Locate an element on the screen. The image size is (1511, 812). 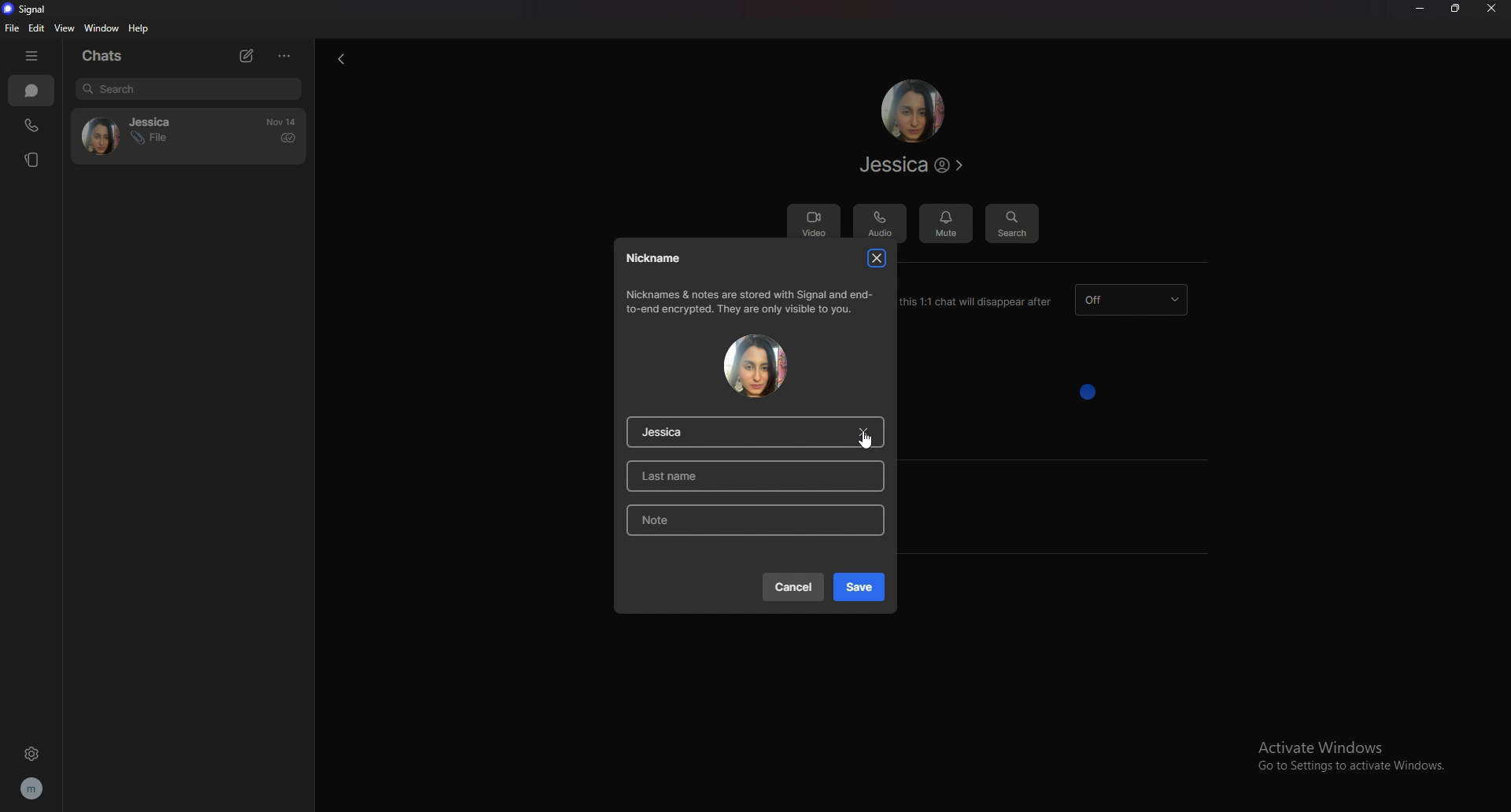
file is located at coordinates (13, 28).